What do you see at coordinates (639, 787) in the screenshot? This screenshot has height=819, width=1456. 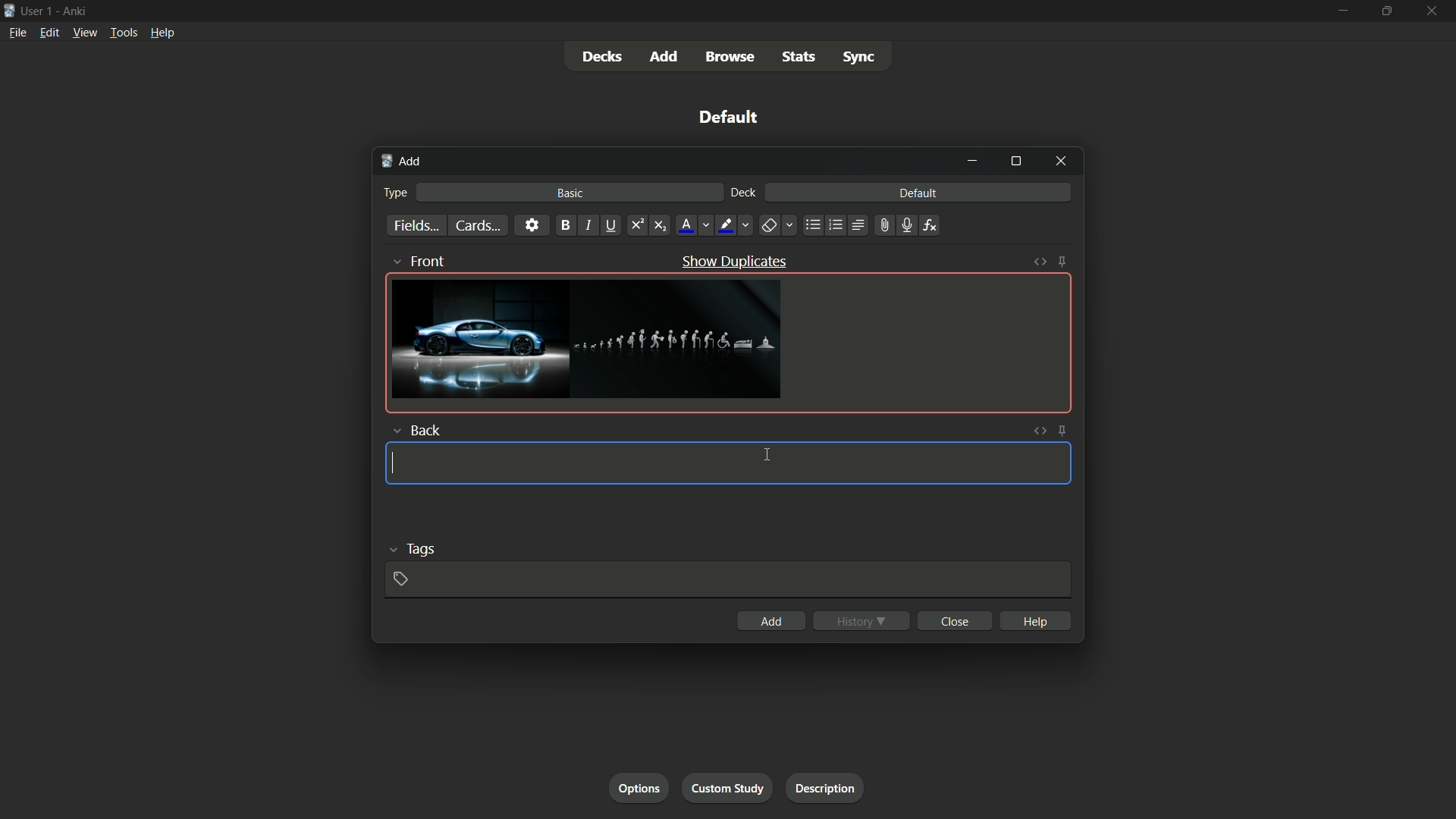 I see `options` at bounding box center [639, 787].